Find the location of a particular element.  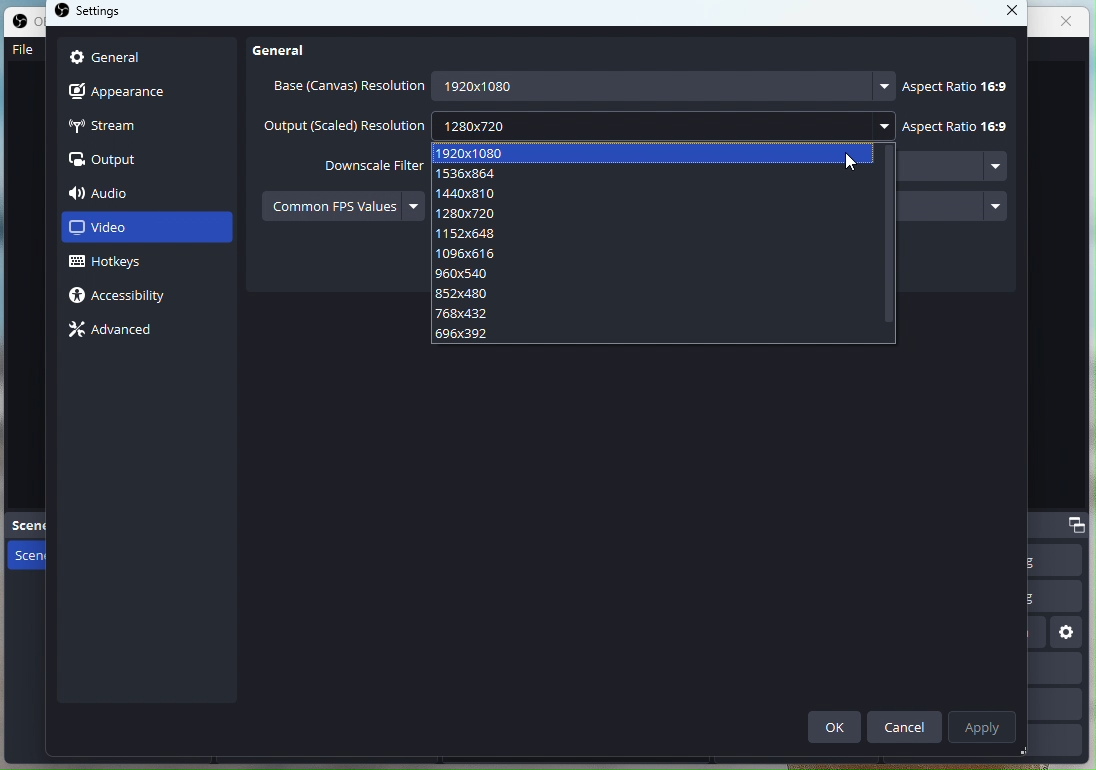

Aspect Ratio 16:9 is located at coordinates (952, 83).